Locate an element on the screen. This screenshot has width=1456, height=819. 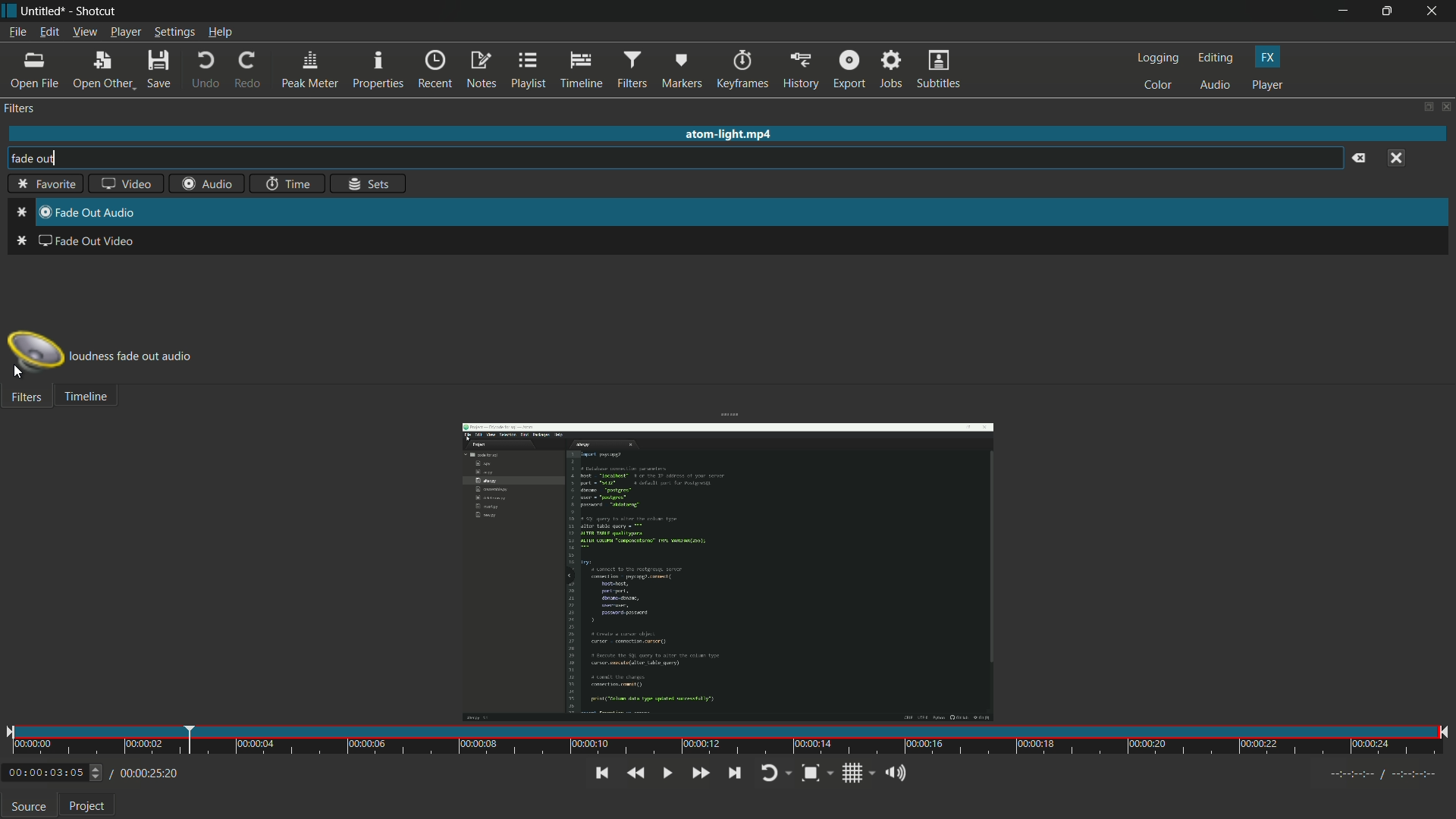
app icon is located at coordinates (9, 9).